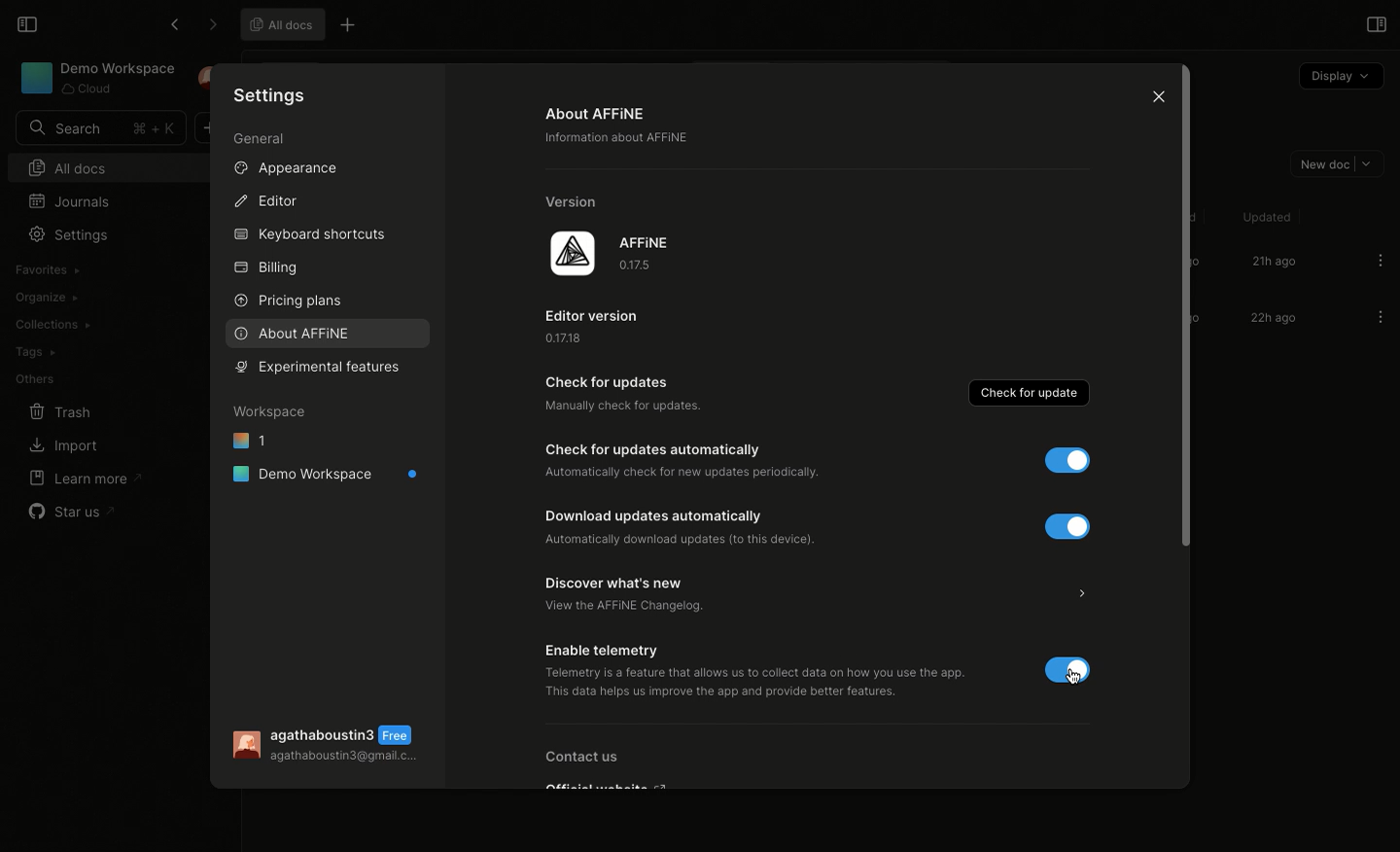  What do you see at coordinates (603, 767) in the screenshot?
I see `Contact us` at bounding box center [603, 767].